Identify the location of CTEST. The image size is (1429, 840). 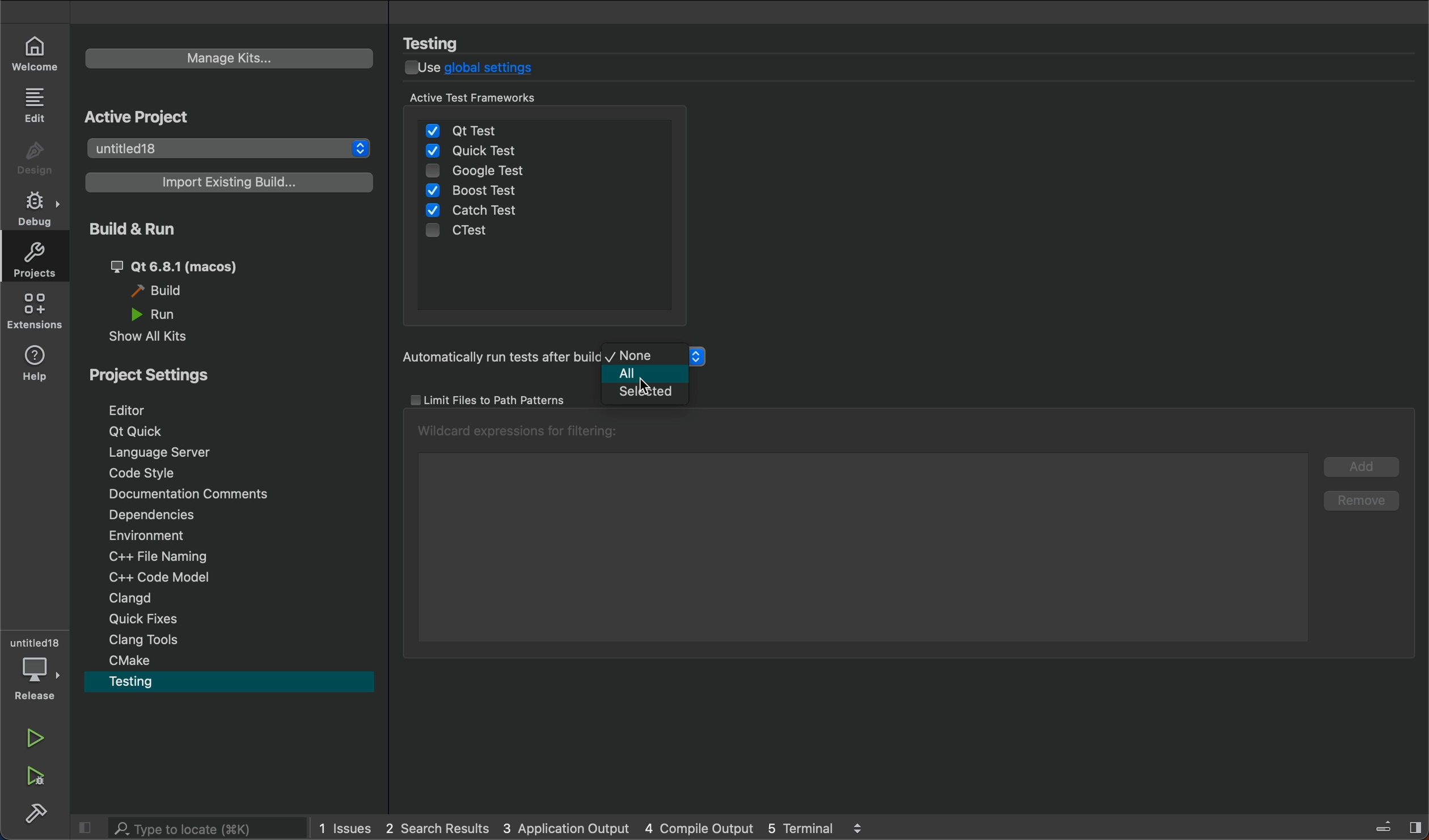
(469, 233).